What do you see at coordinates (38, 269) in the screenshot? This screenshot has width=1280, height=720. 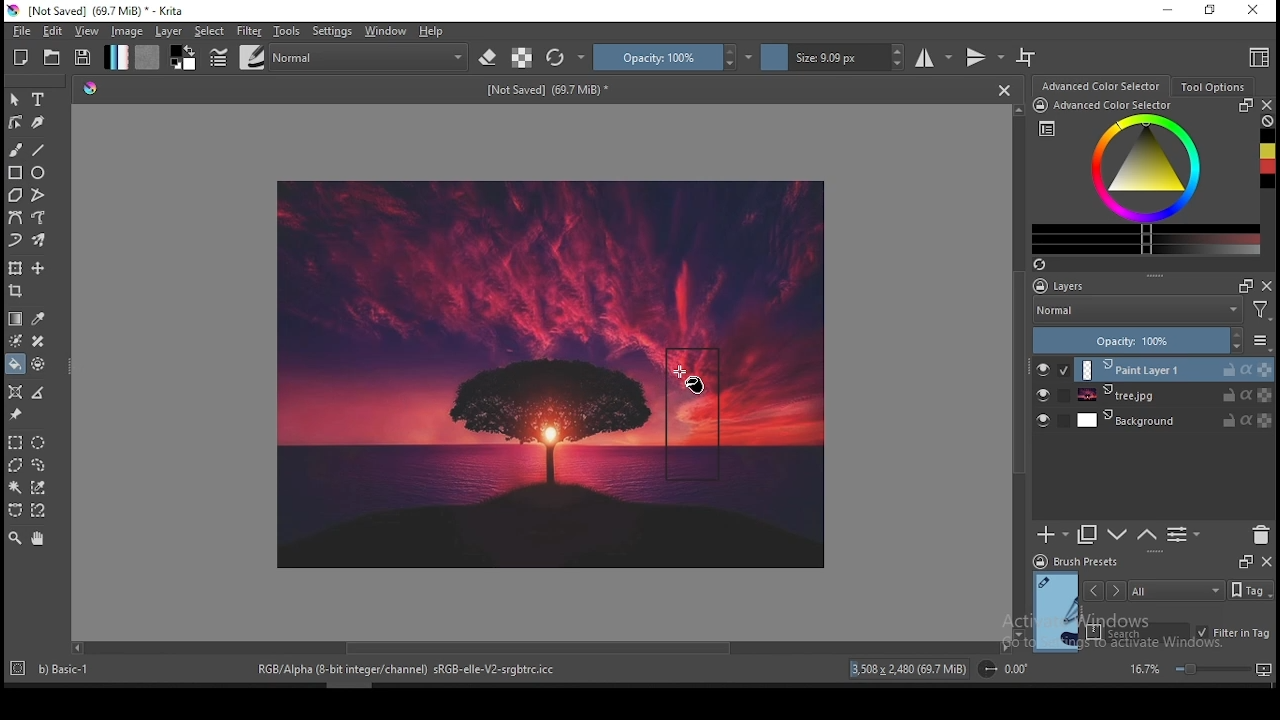 I see `move a layer` at bounding box center [38, 269].